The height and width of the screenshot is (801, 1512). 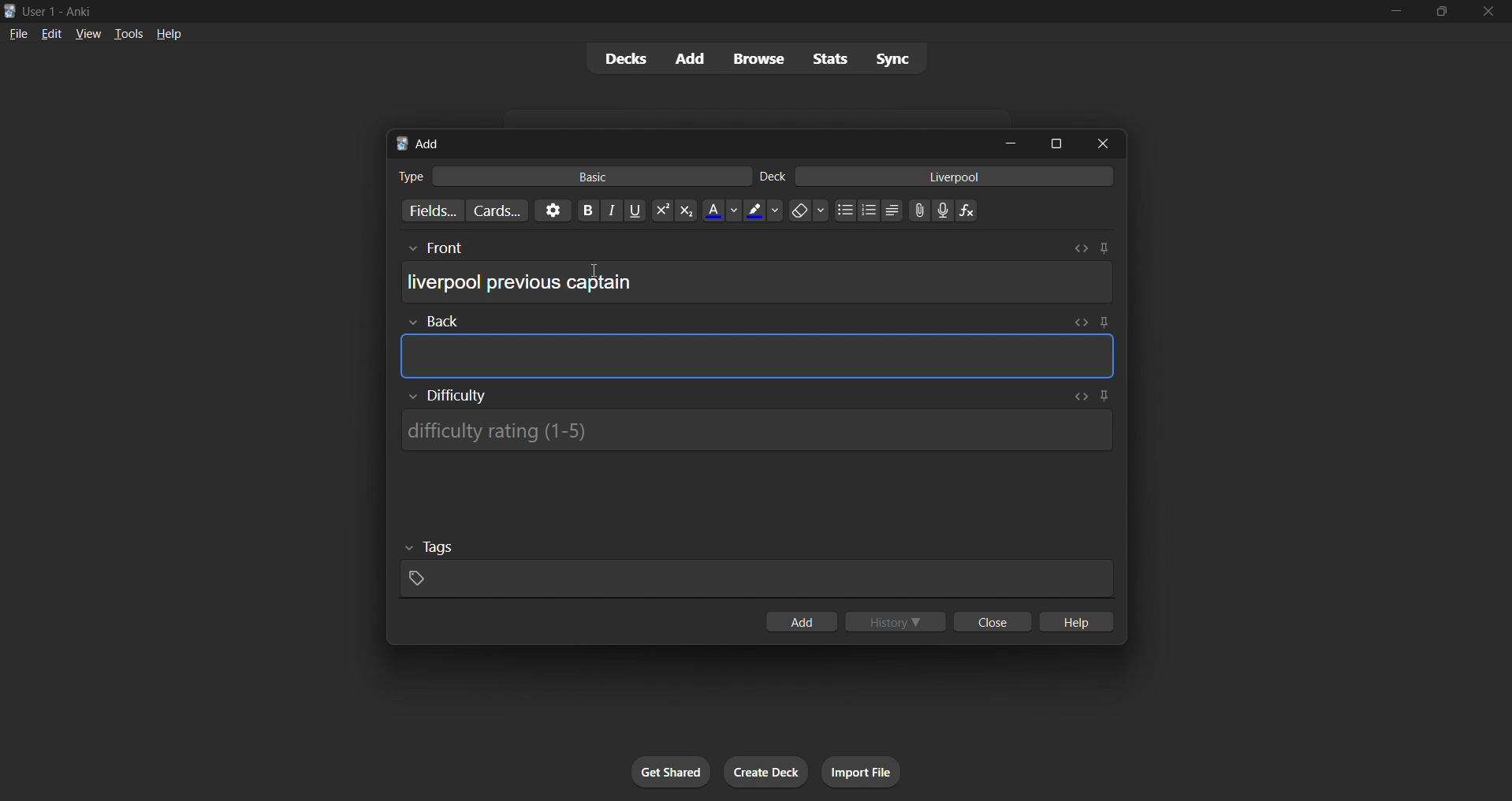 I want to click on numbered list, so click(x=870, y=212).